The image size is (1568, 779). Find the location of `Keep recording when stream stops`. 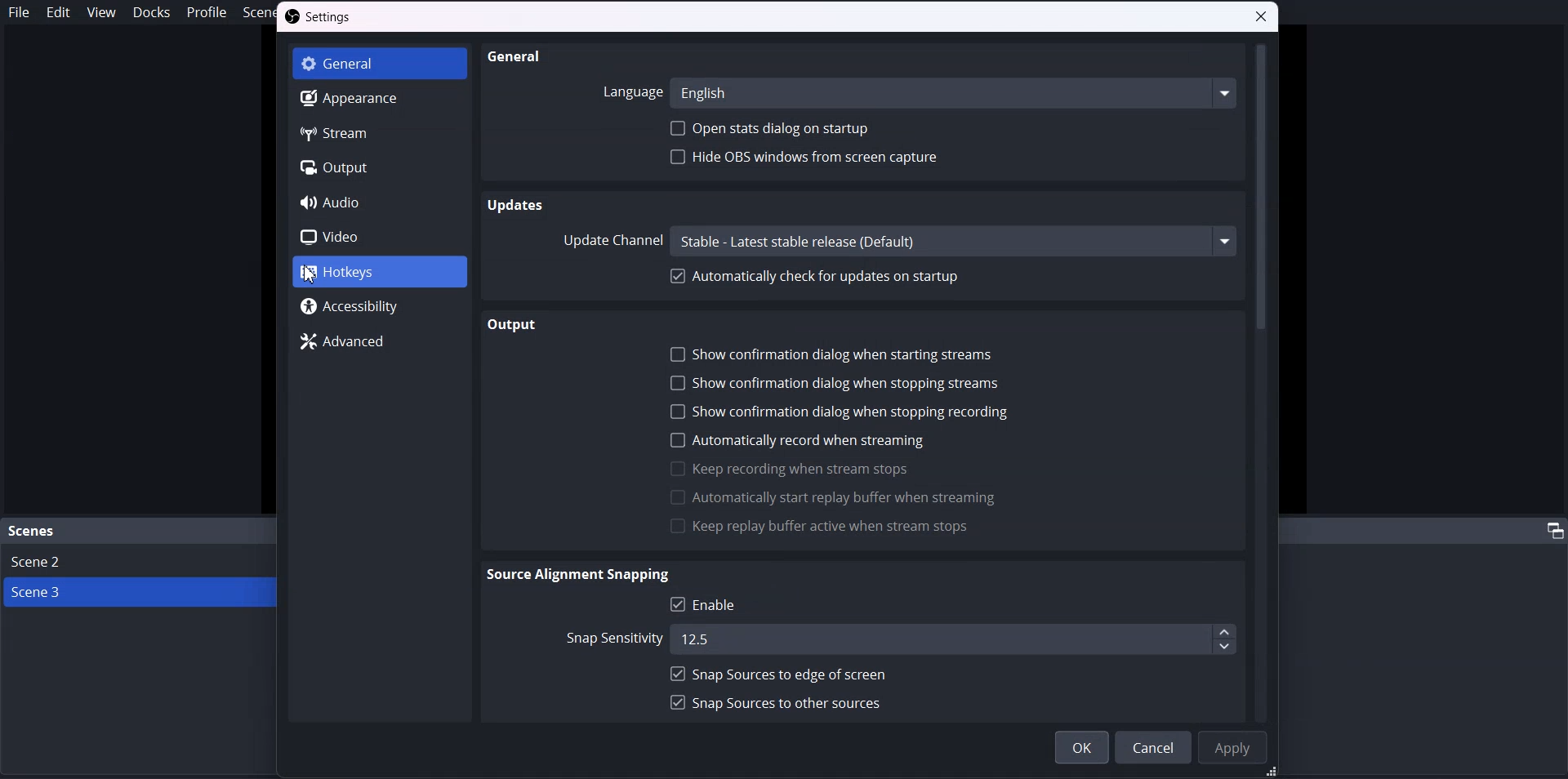

Keep recording when stream stops is located at coordinates (791, 469).